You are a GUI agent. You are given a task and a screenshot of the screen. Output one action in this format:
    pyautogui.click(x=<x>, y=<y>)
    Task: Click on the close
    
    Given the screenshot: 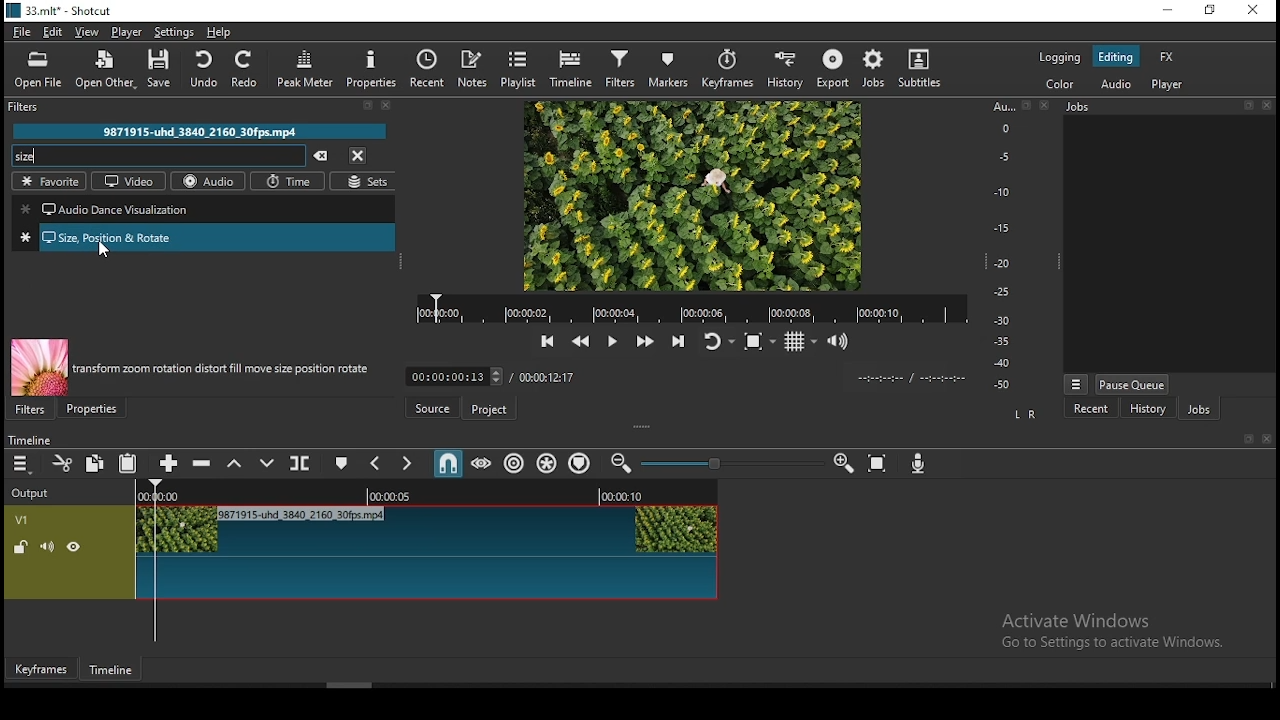 What is the action you would take?
    pyautogui.click(x=1267, y=440)
    